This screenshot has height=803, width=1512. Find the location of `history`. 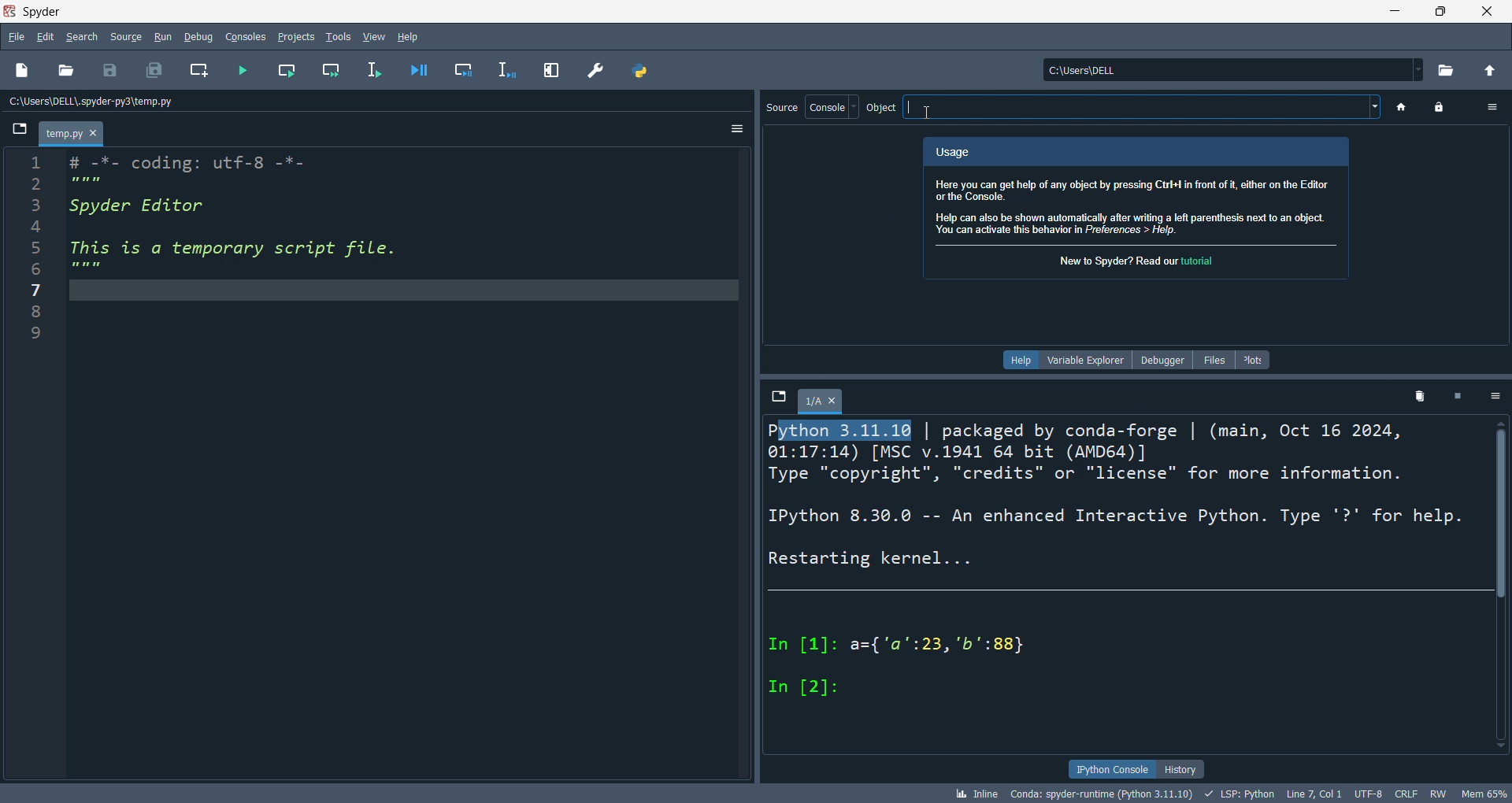

history is located at coordinates (1180, 768).